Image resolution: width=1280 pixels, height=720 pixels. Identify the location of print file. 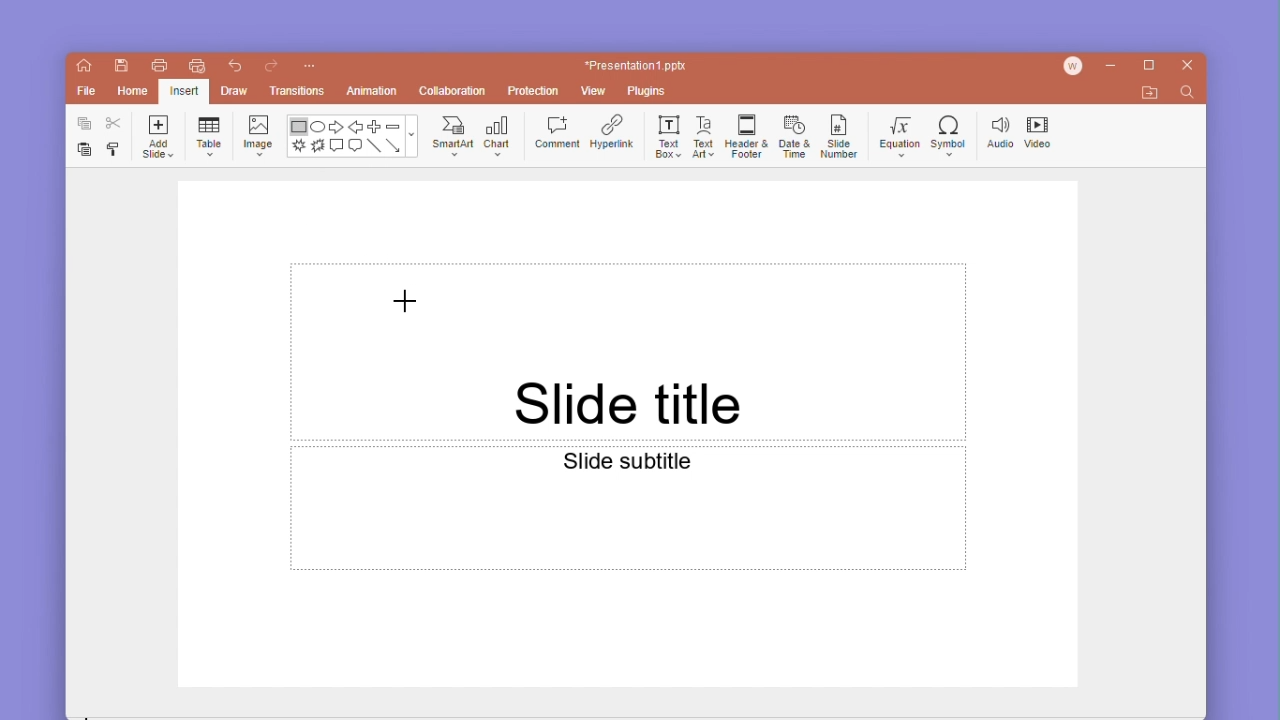
(155, 65).